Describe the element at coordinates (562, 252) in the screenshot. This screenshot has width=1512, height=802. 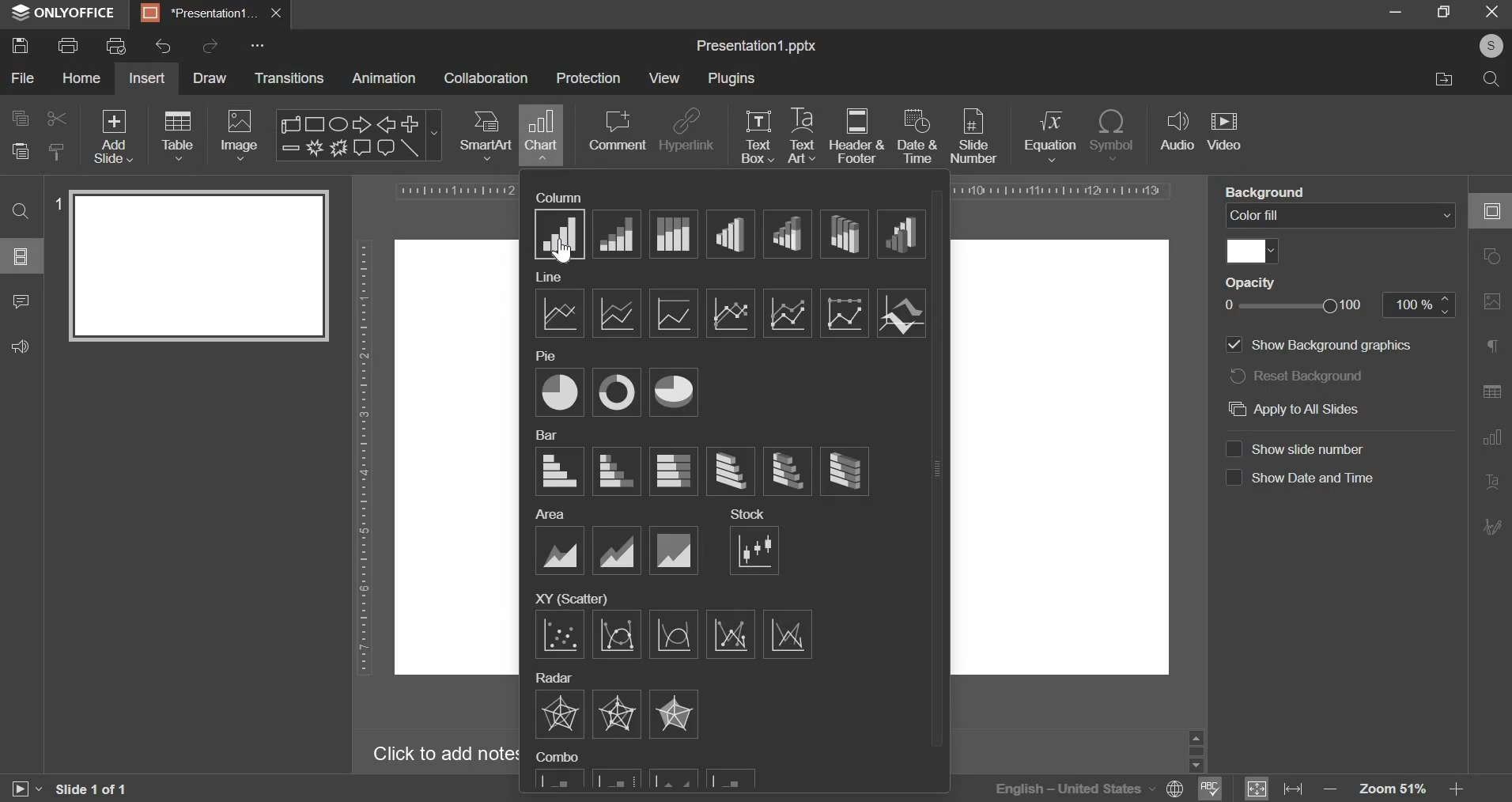
I see `mouse pointer` at that location.